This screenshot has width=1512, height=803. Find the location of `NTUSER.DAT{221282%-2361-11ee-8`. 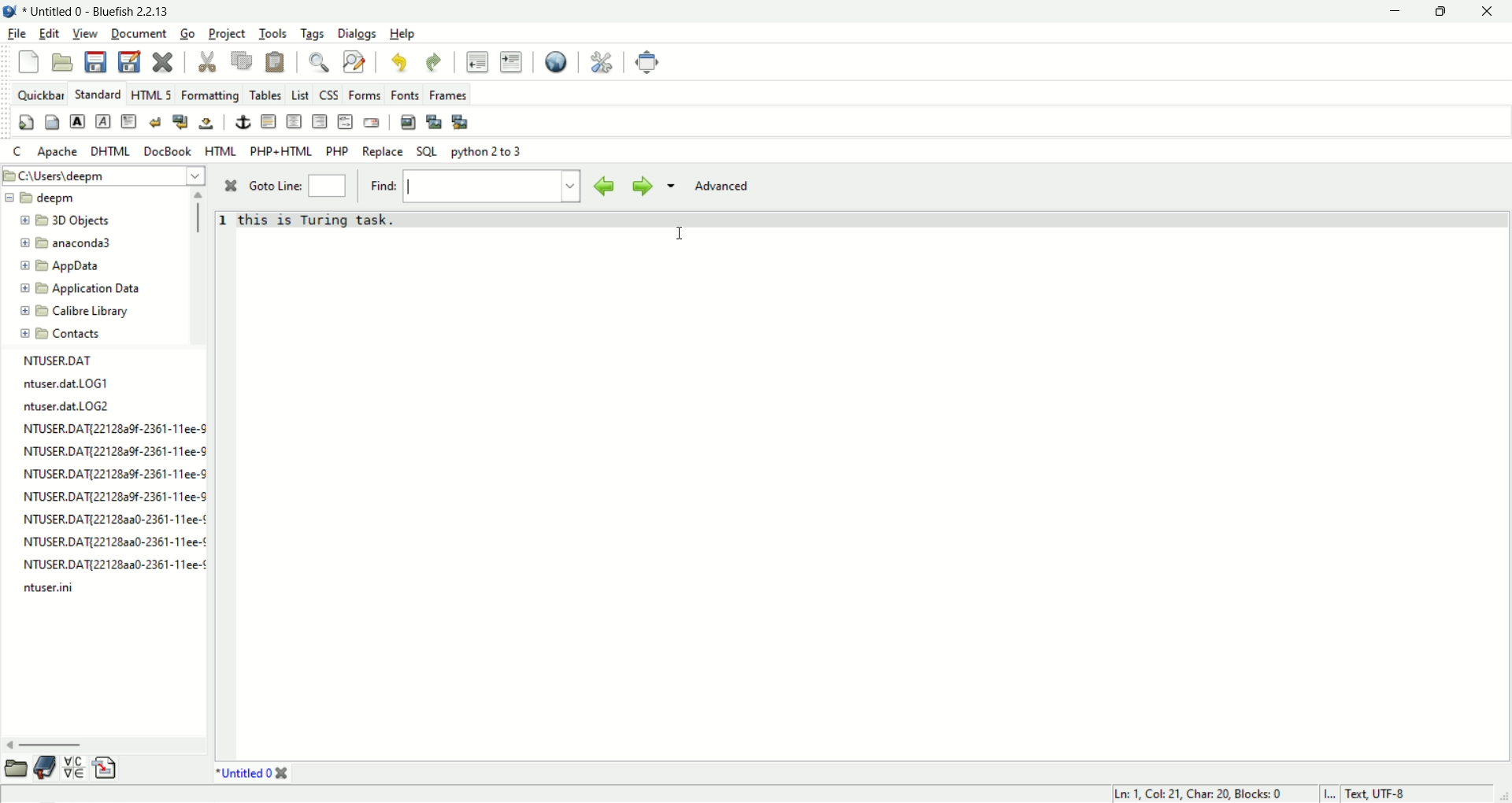

NTUSER.DAT{221282%-2361-11ee-8 is located at coordinates (106, 451).